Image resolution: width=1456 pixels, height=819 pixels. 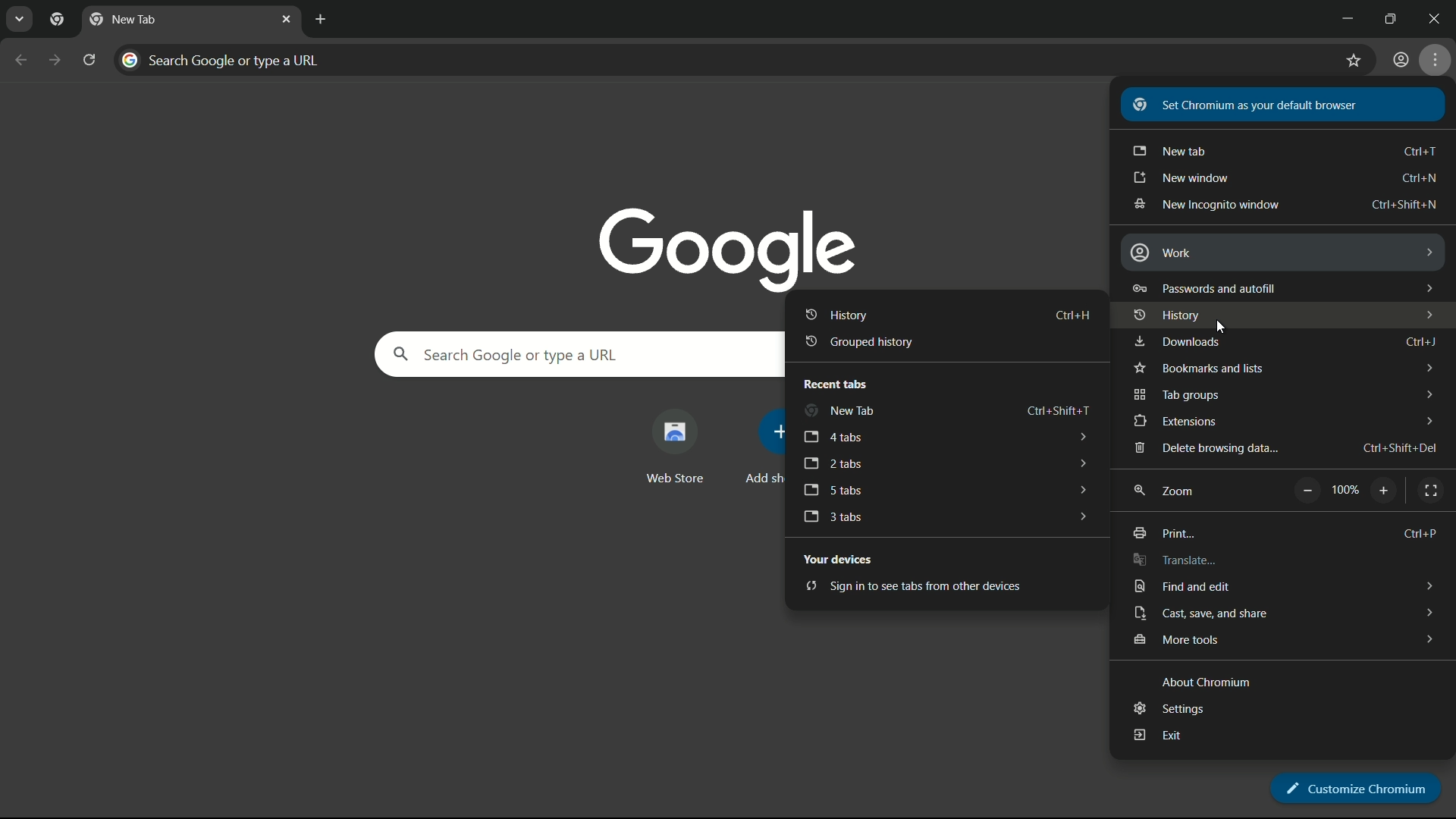 I want to click on search google or type a url, so click(x=574, y=353).